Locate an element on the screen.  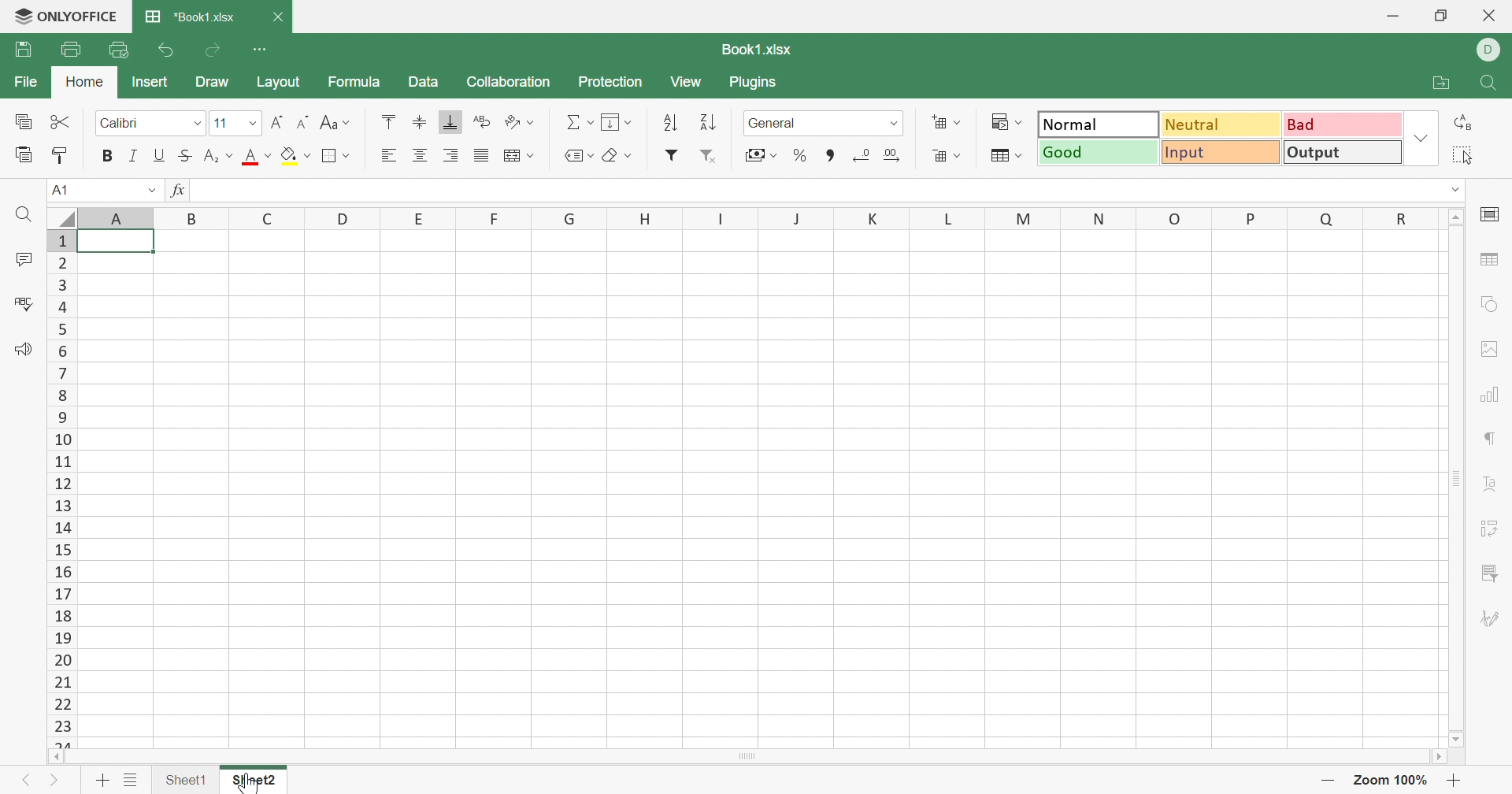
Borders is located at coordinates (334, 157).